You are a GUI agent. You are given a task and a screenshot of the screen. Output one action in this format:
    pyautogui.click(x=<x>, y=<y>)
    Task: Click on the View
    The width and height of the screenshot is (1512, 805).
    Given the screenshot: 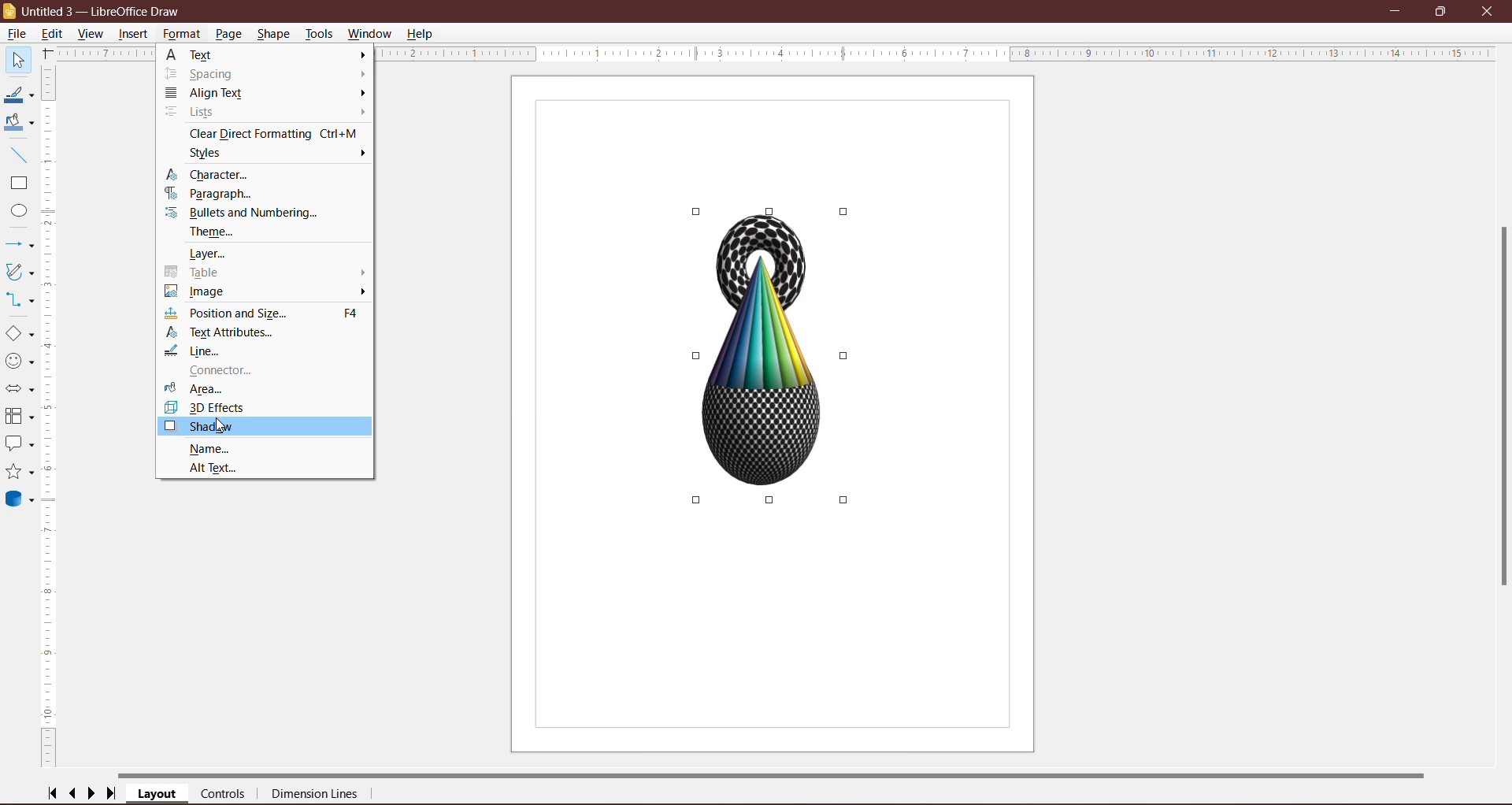 What is the action you would take?
    pyautogui.click(x=91, y=33)
    